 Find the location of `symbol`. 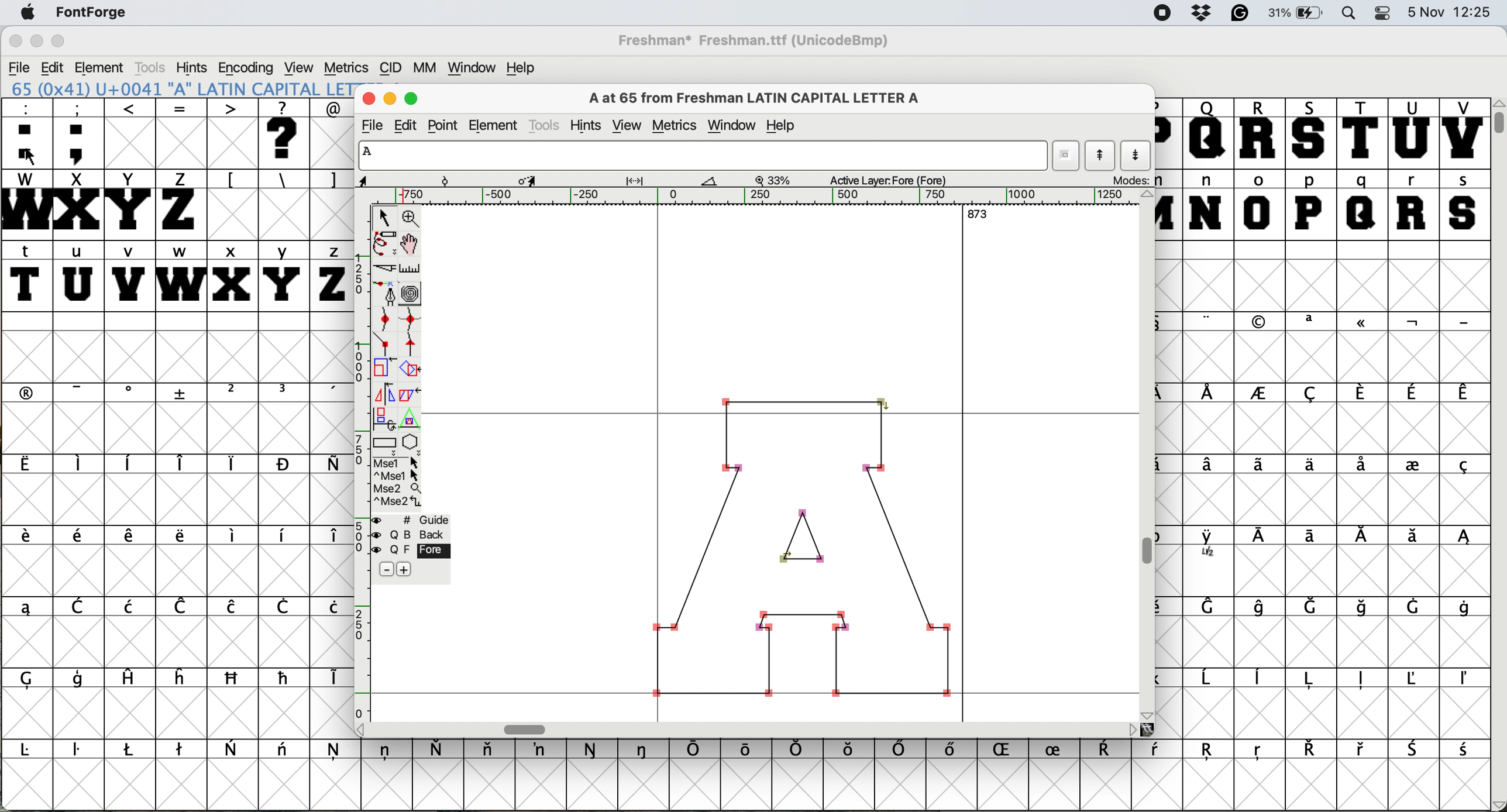

symbol is located at coordinates (1007, 751).